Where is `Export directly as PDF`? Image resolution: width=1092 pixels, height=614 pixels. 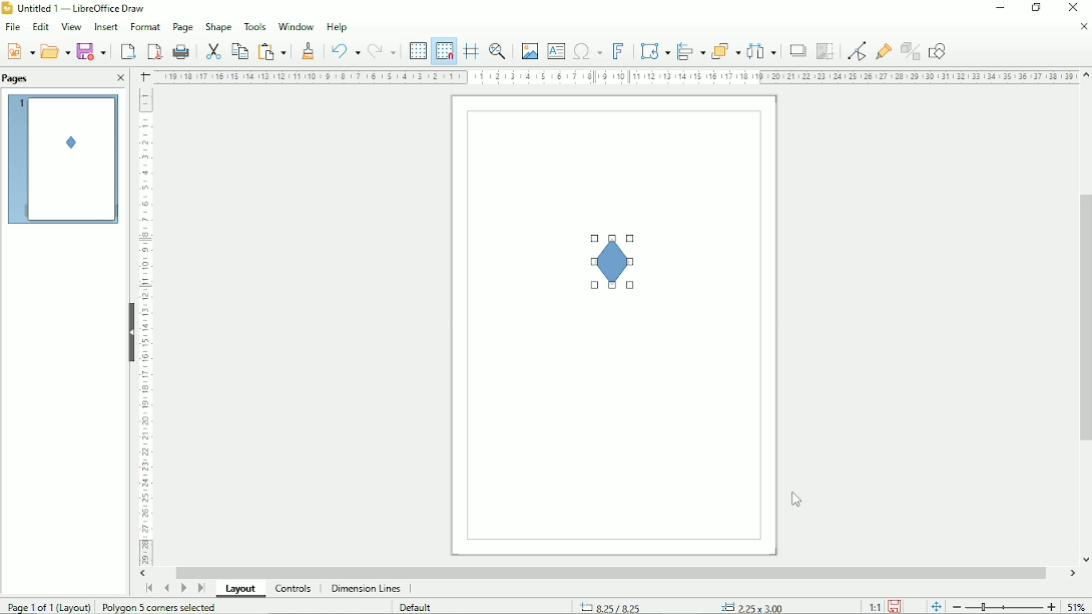
Export directly as PDF is located at coordinates (152, 50).